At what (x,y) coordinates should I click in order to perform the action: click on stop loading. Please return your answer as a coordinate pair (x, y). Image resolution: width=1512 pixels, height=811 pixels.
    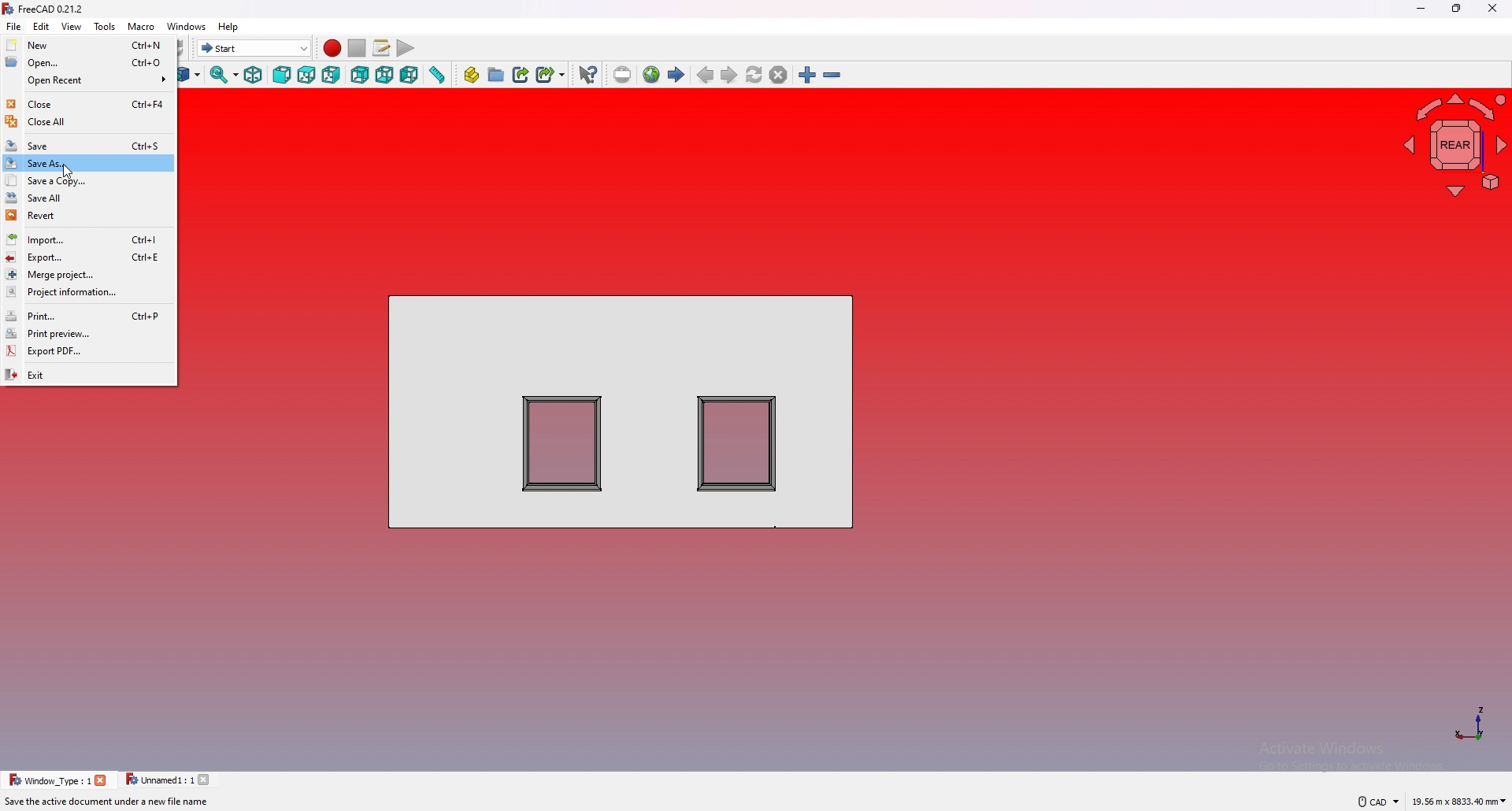
    Looking at the image, I should click on (778, 75).